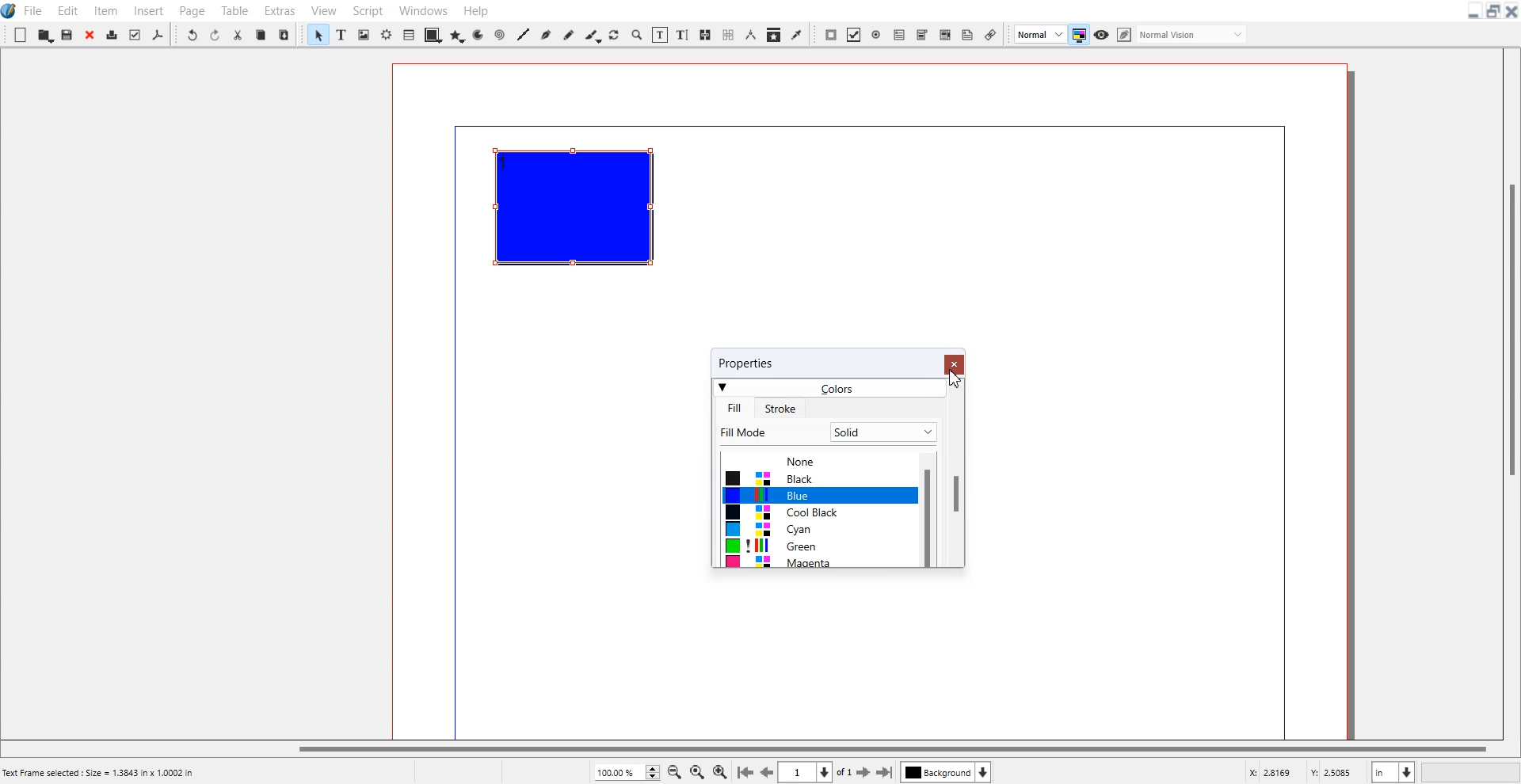 This screenshot has width=1521, height=784. I want to click on Close, so click(953, 364).